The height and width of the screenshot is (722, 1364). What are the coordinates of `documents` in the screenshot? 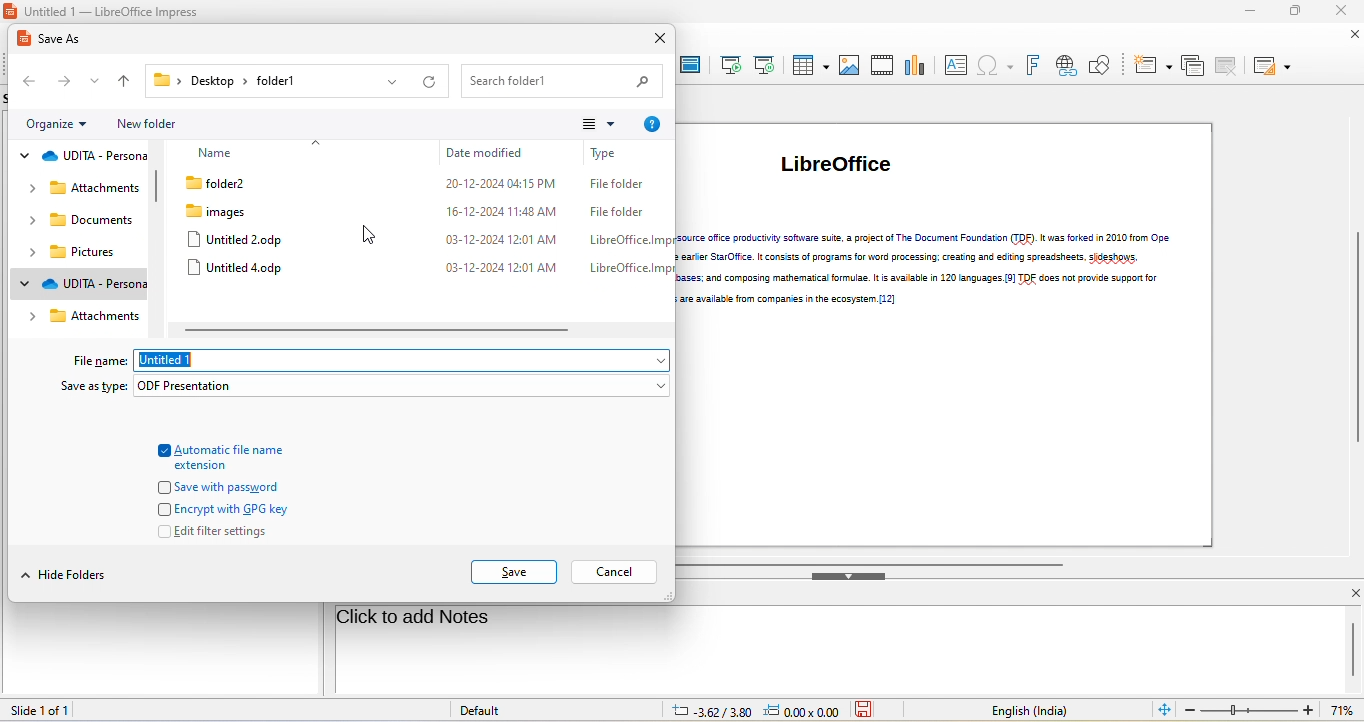 It's located at (80, 222).